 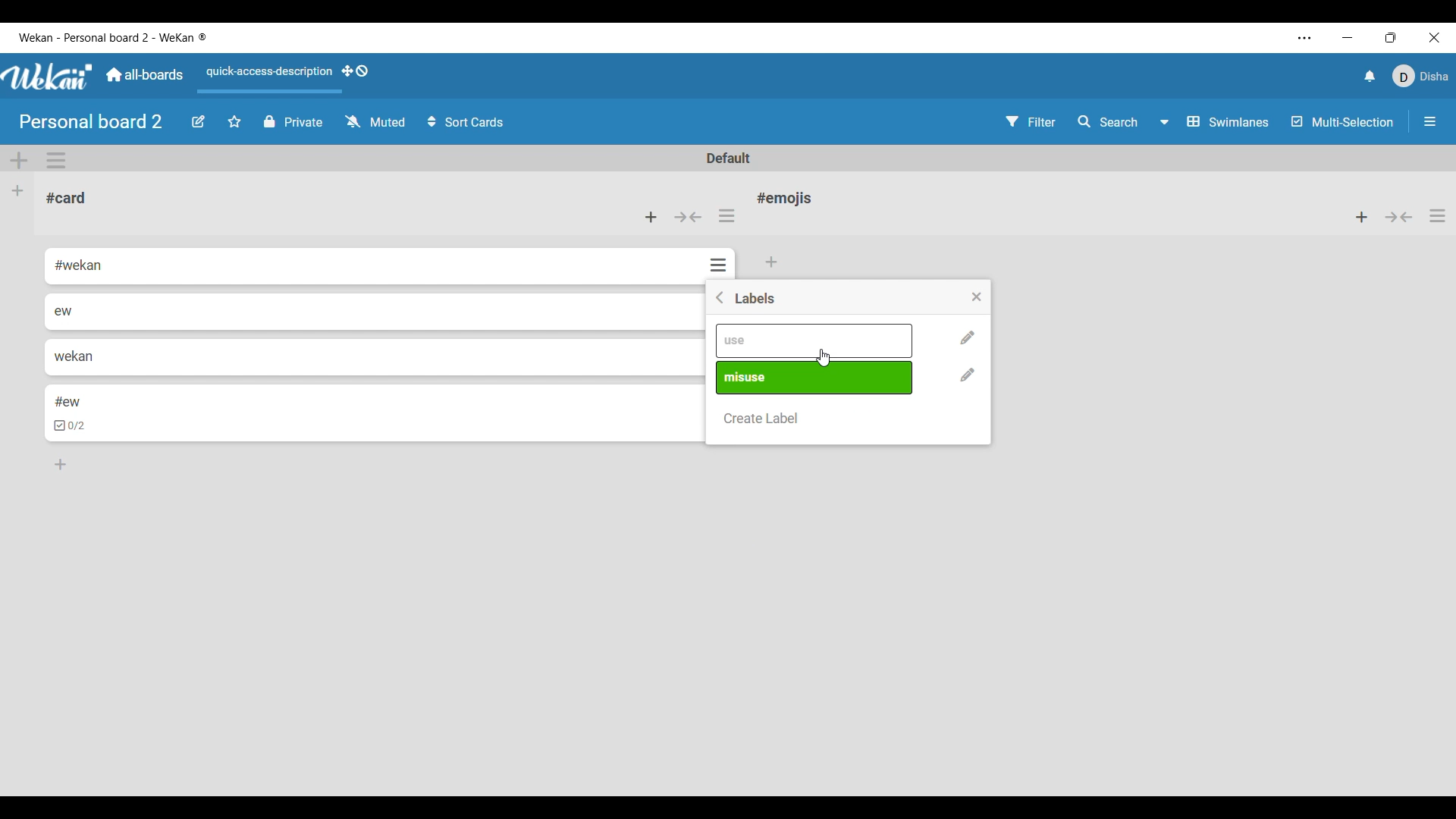 What do you see at coordinates (977, 297) in the screenshot?
I see `Close settings` at bounding box center [977, 297].